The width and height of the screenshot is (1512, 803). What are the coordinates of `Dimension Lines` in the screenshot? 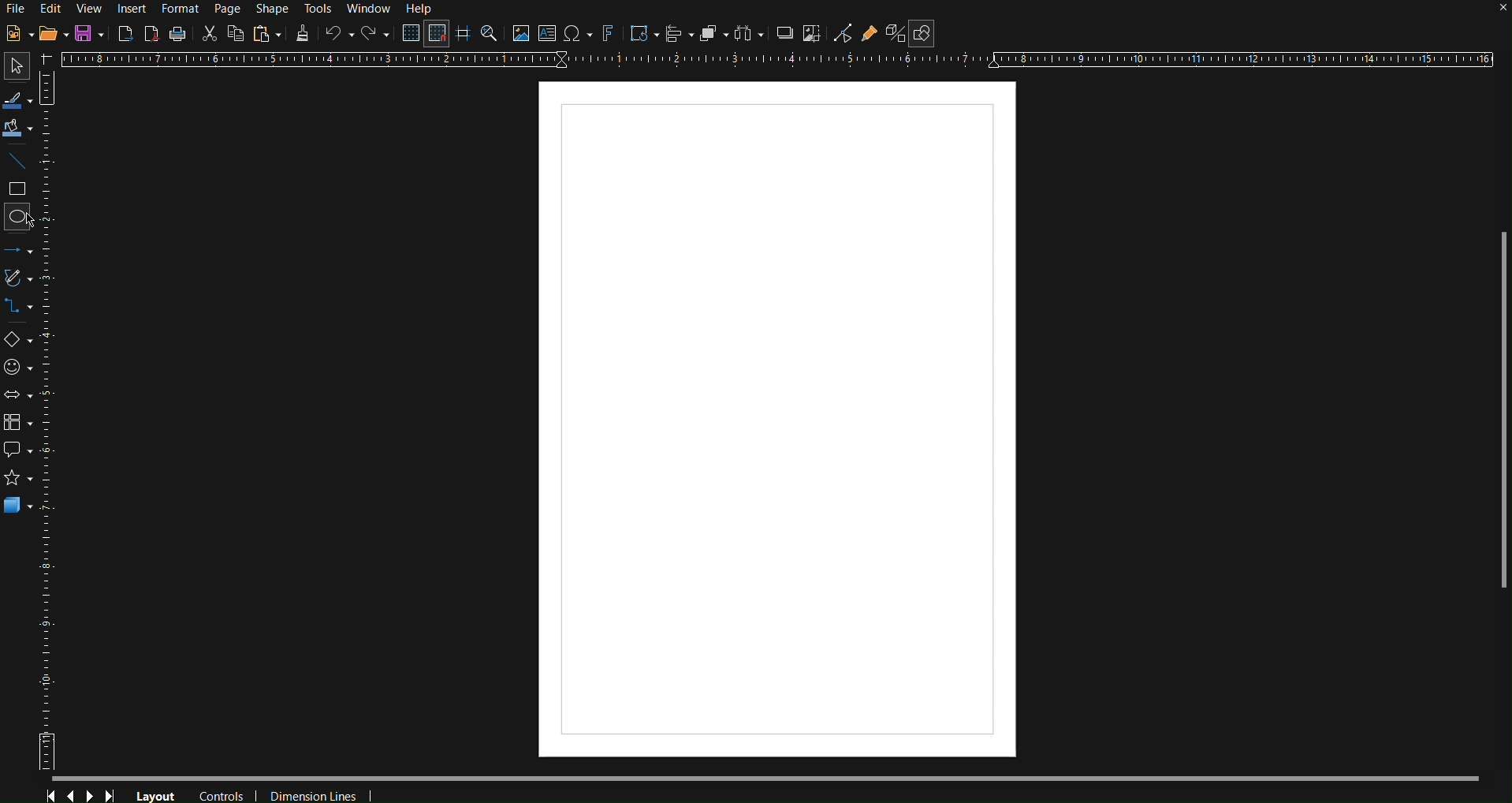 It's located at (317, 793).